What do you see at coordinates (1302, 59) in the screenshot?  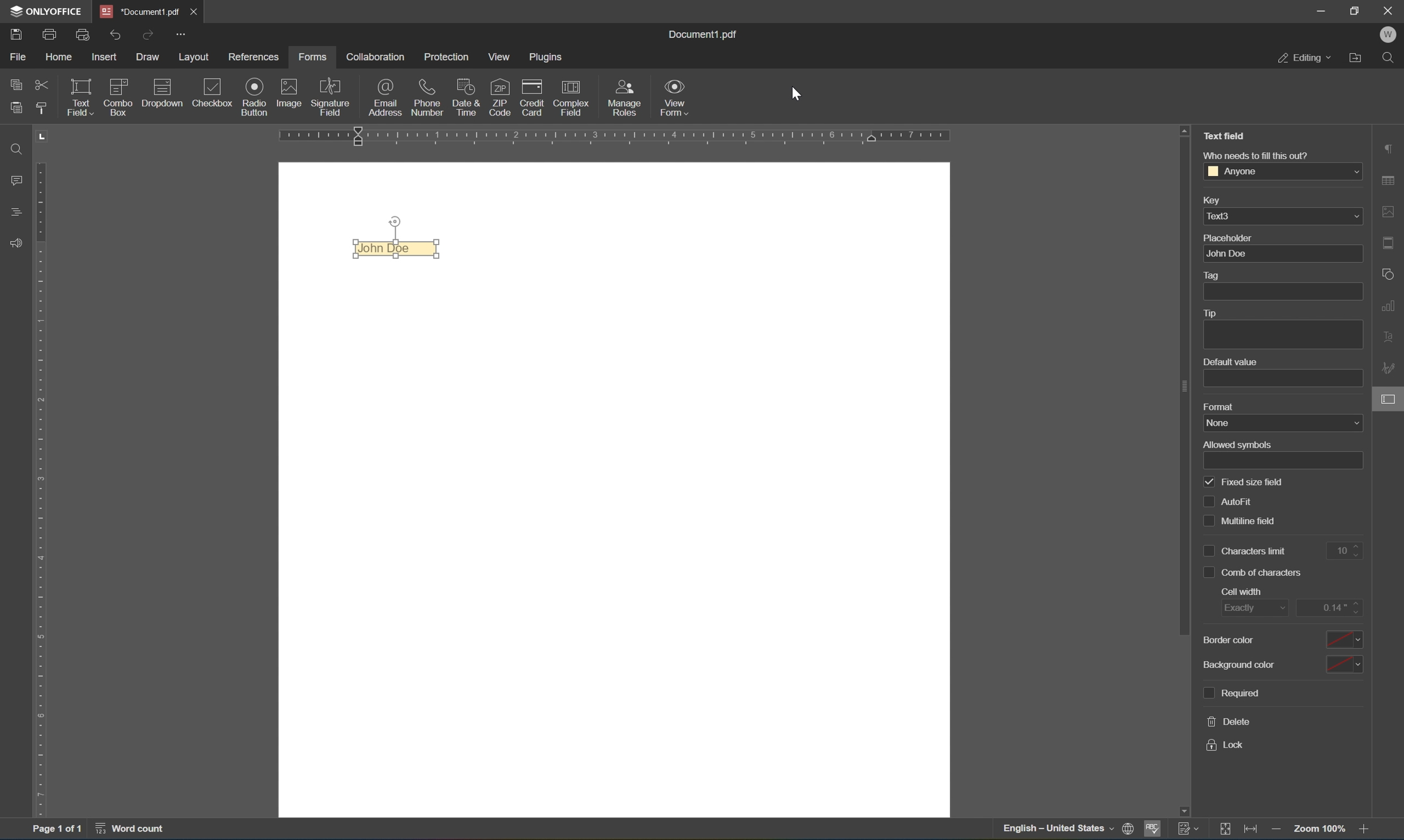 I see `editing` at bounding box center [1302, 59].